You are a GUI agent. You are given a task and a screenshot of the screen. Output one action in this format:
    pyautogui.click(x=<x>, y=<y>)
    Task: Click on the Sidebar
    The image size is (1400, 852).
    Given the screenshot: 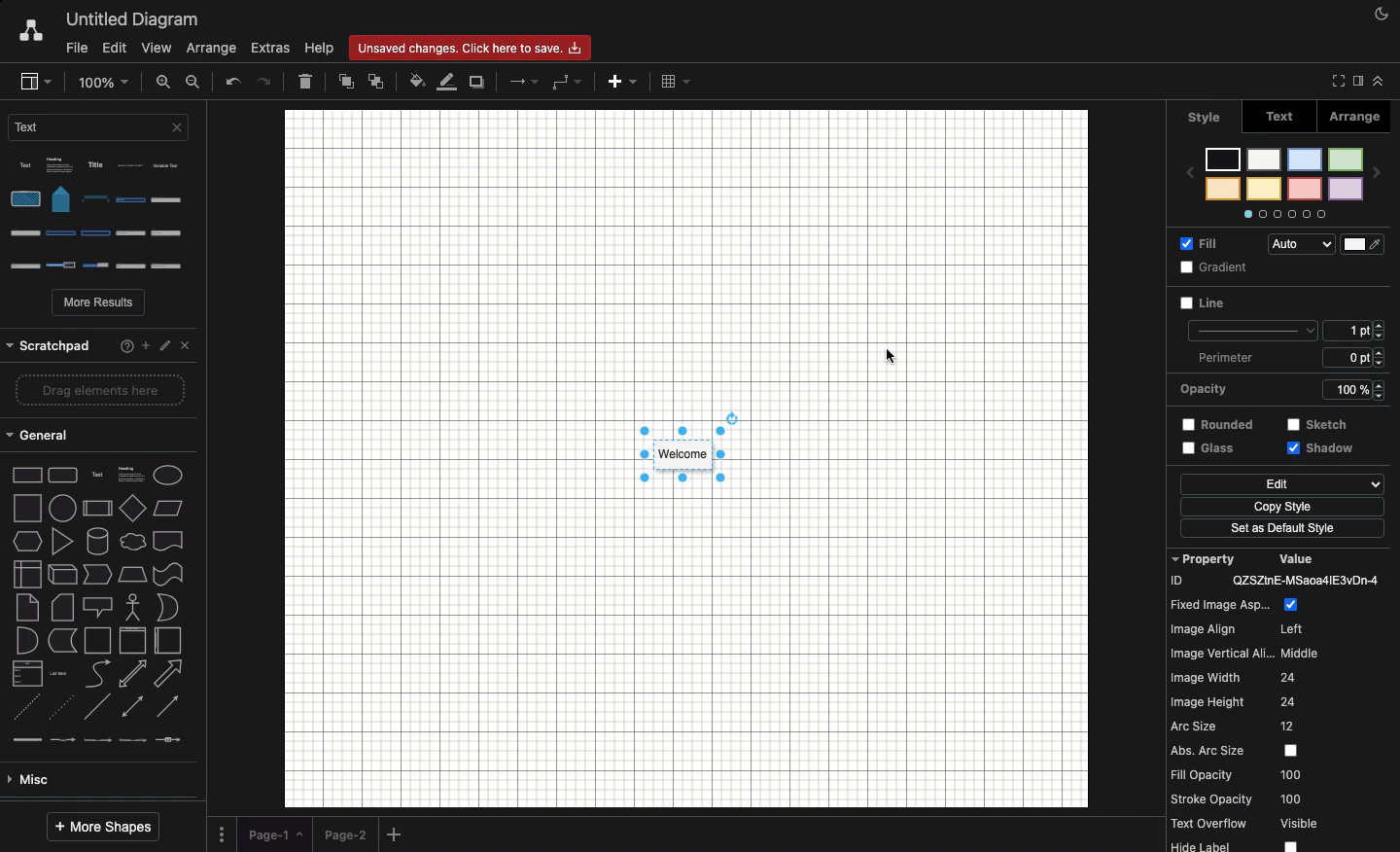 What is the action you would take?
    pyautogui.click(x=34, y=82)
    